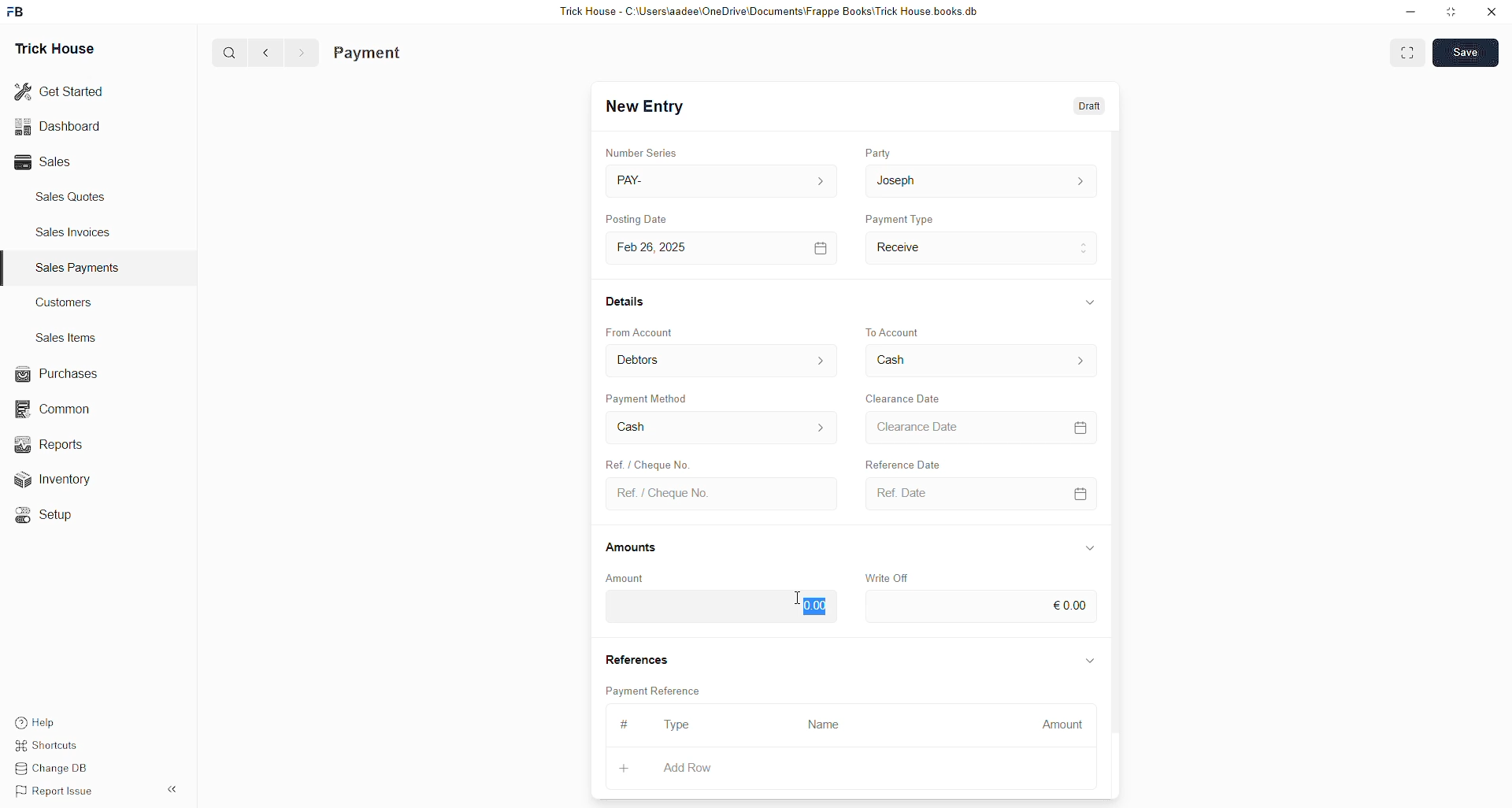  What do you see at coordinates (266, 54) in the screenshot?
I see `Back` at bounding box center [266, 54].